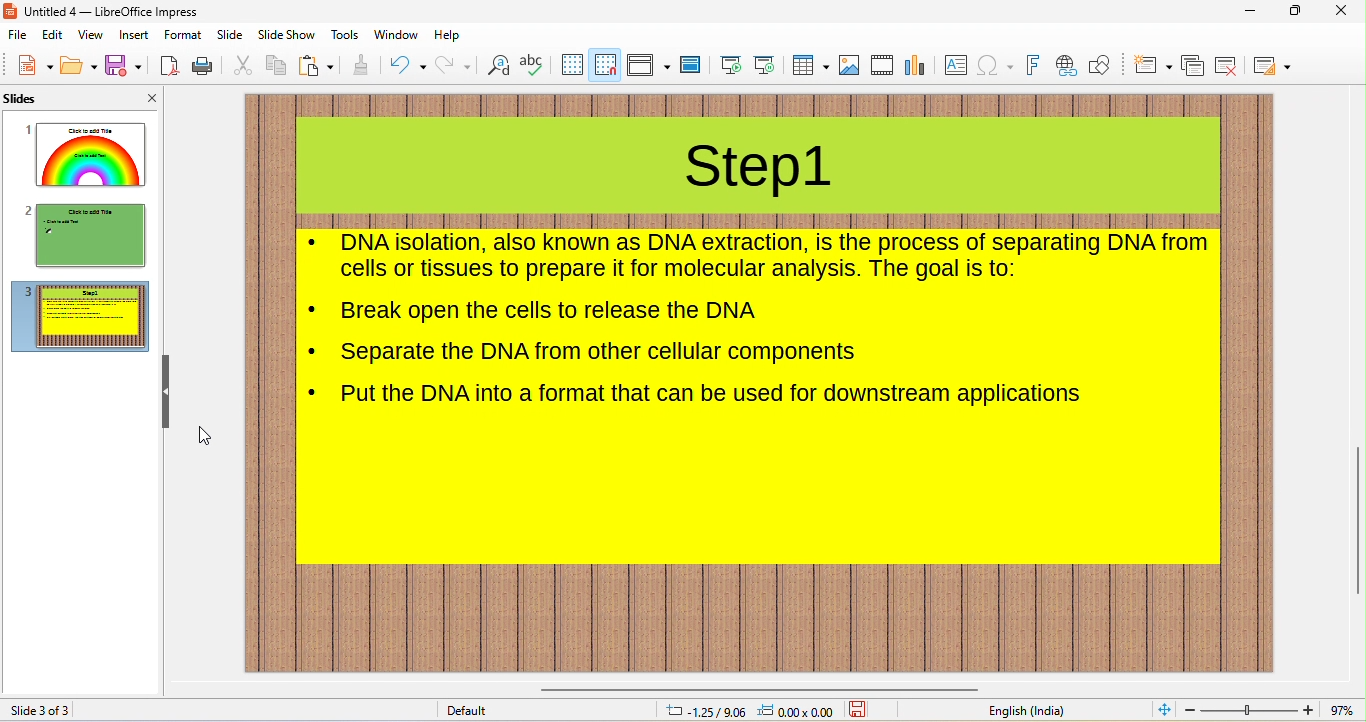 This screenshot has width=1366, height=722. What do you see at coordinates (447, 35) in the screenshot?
I see `help` at bounding box center [447, 35].